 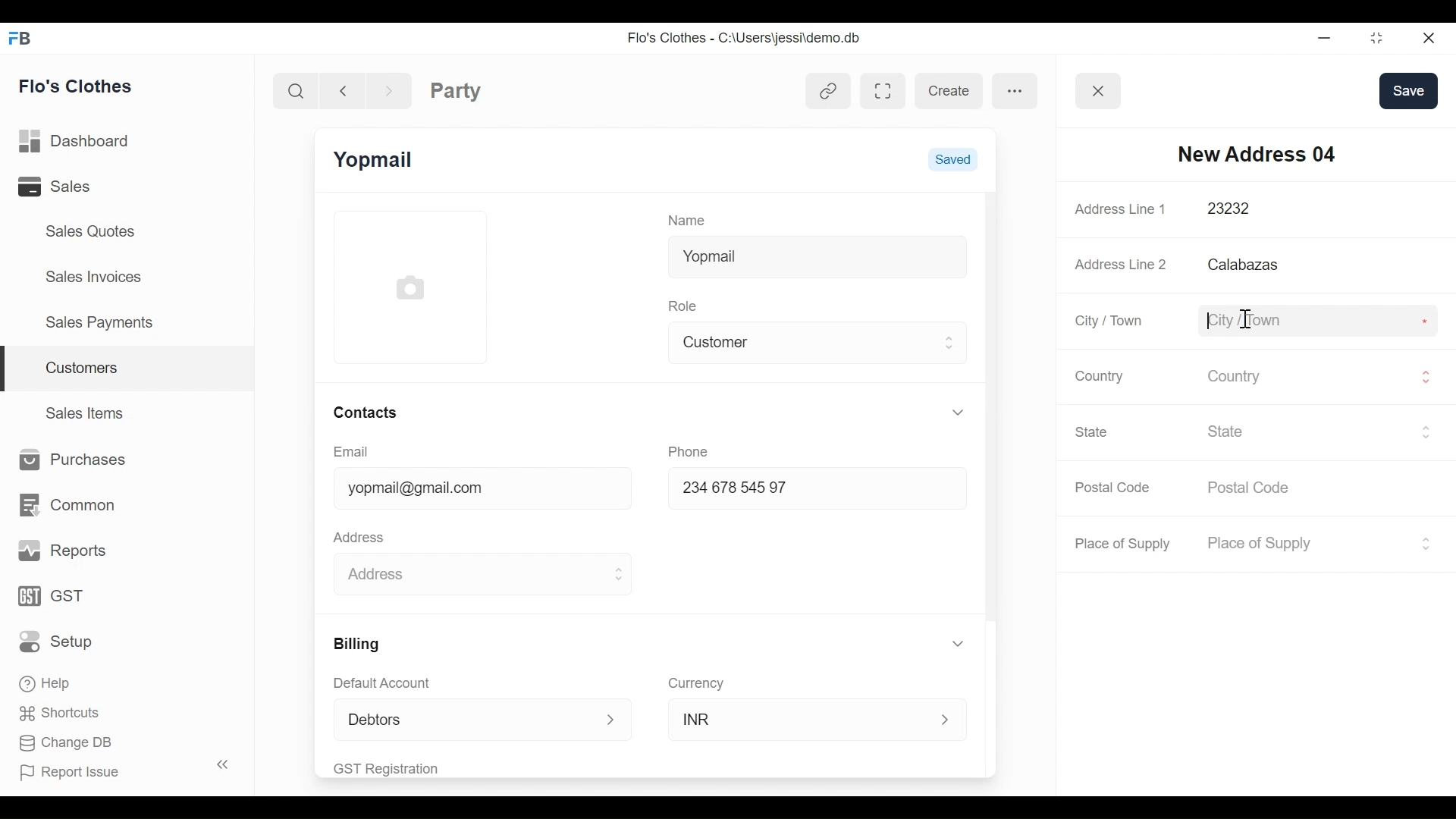 I want to click on Vertical Scroll bar, so click(x=990, y=407).